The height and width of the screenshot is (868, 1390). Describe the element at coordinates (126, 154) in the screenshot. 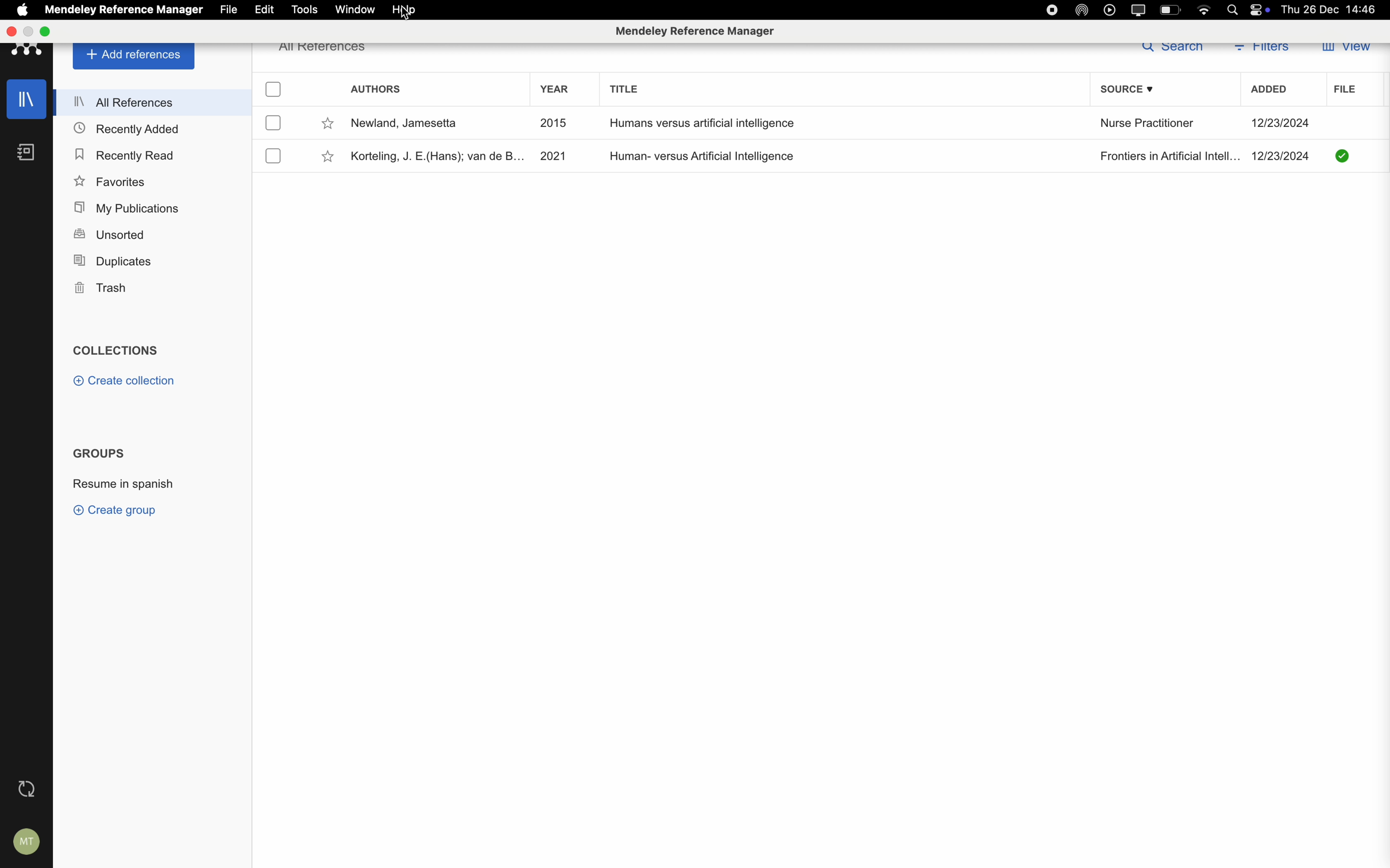

I see `Recently Read` at that location.